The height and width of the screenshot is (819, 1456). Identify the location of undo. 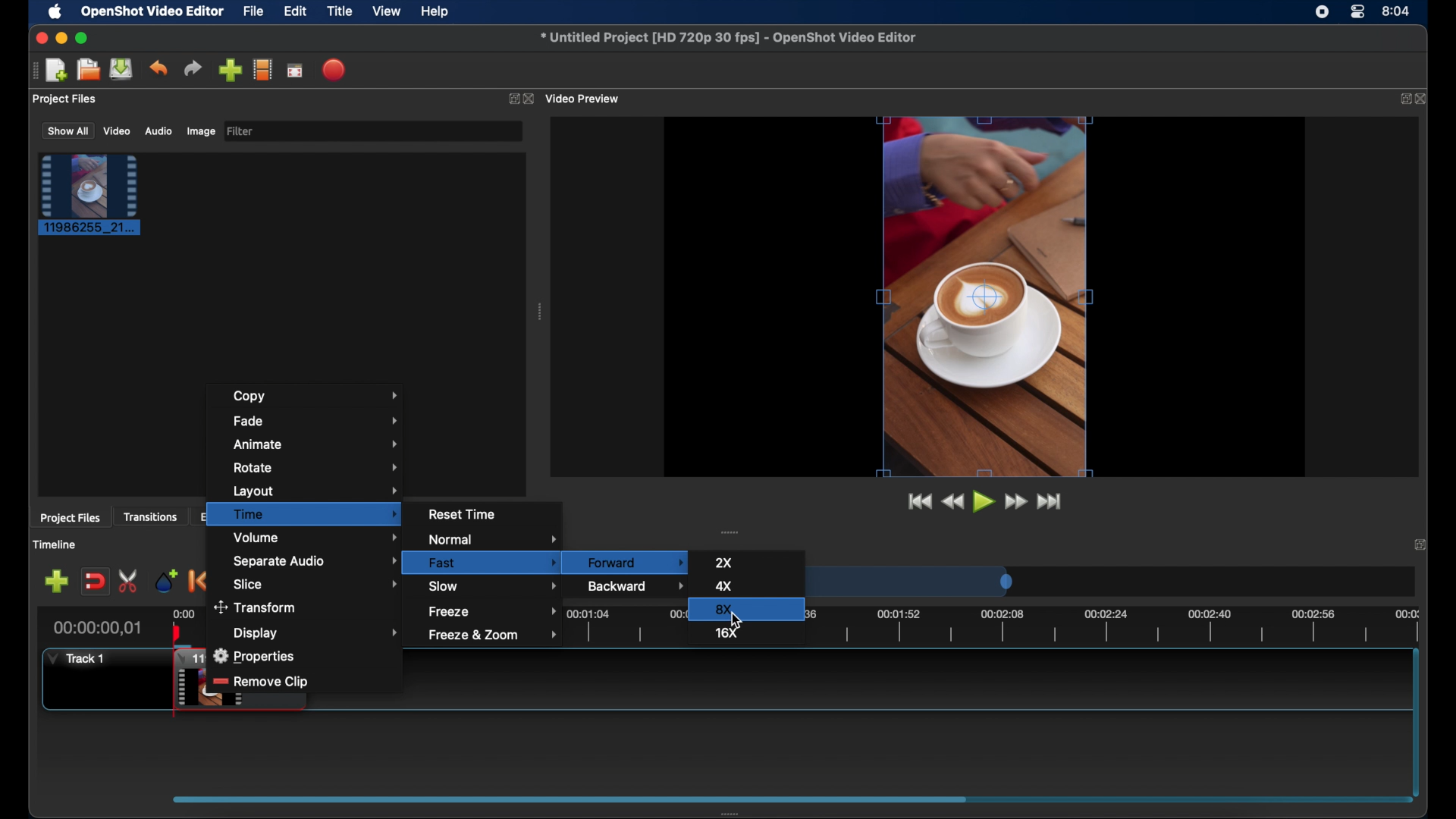
(159, 68).